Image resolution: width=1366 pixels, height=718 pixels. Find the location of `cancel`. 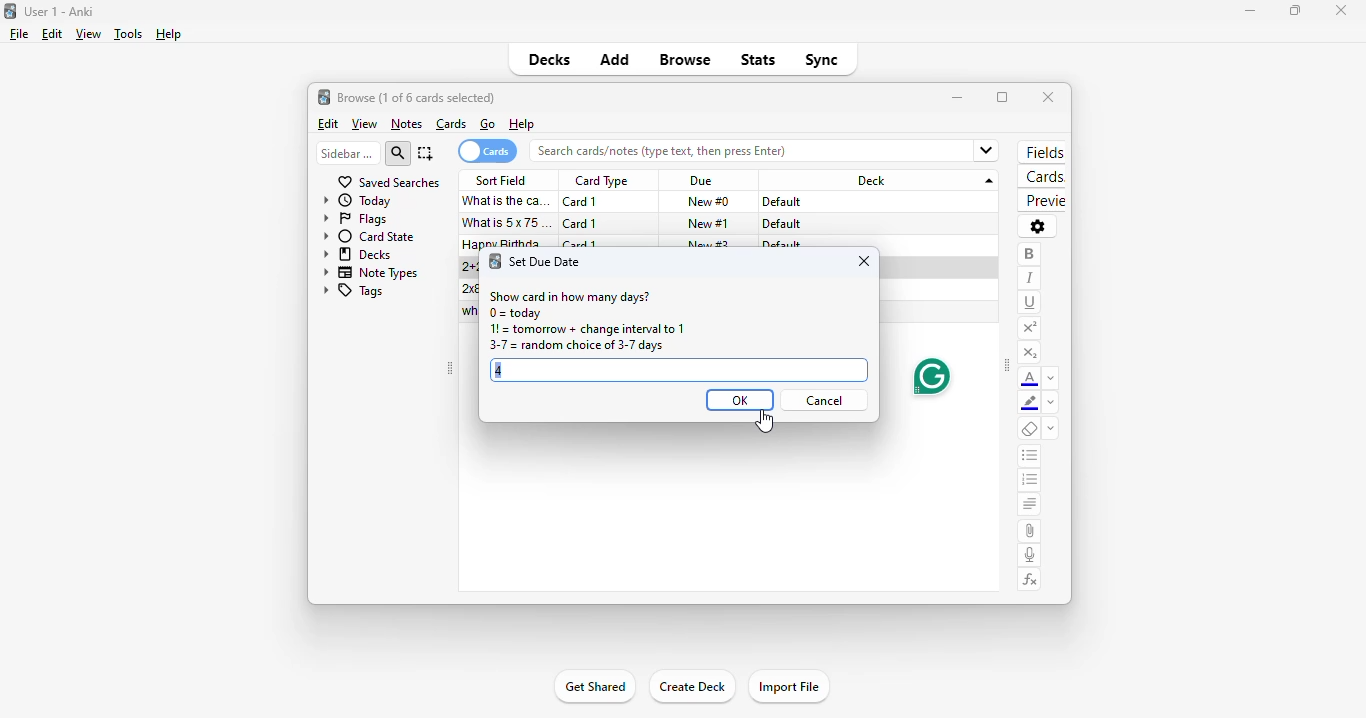

cancel is located at coordinates (823, 400).